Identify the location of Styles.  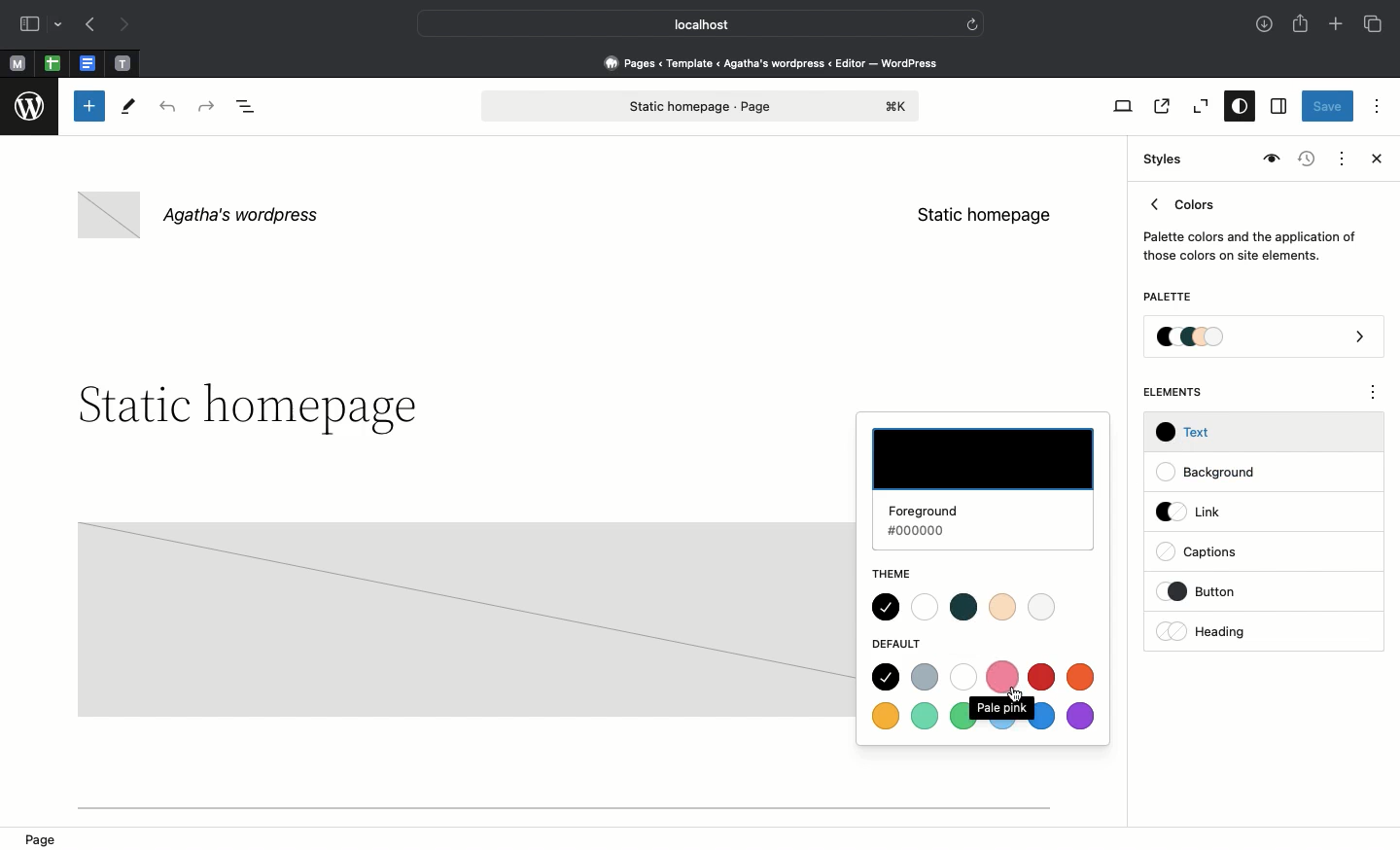
(1235, 108).